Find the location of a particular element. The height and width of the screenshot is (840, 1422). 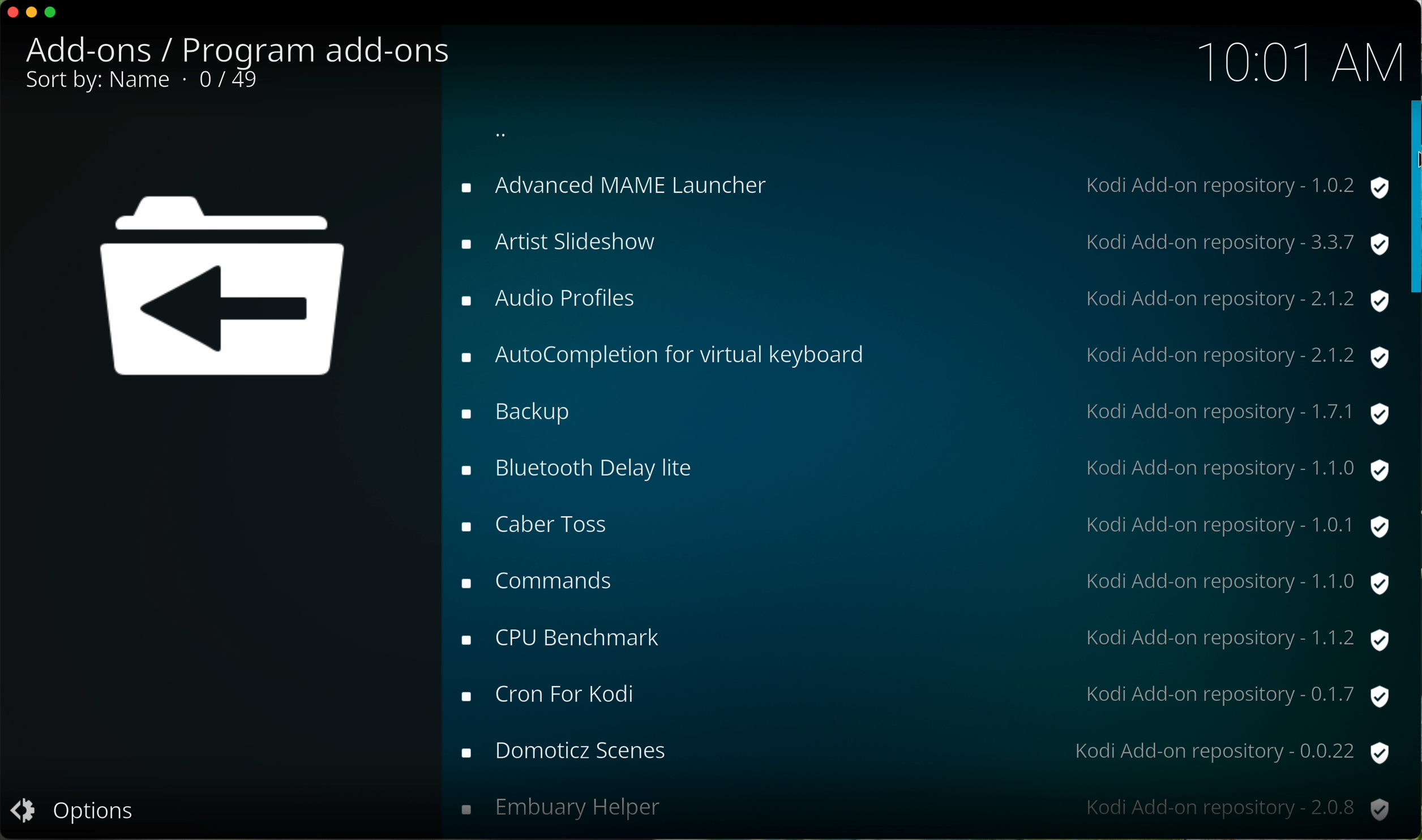

embuary helper is located at coordinates (926, 807).